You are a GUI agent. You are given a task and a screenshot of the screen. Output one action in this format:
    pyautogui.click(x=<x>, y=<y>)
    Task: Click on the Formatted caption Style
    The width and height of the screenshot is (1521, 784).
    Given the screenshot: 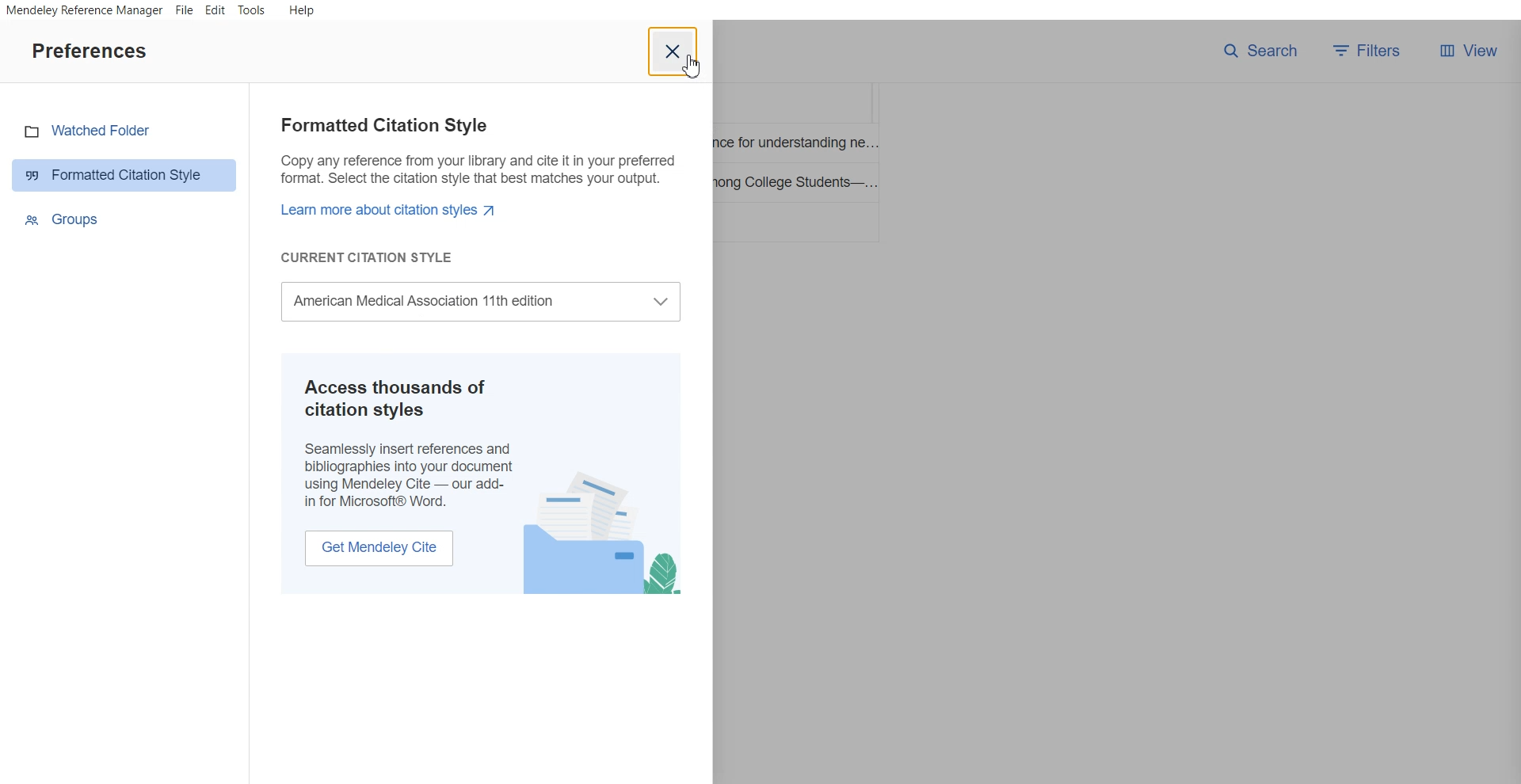 What is the action you would take?
    pyautogui.click(x=125, y=174)
    